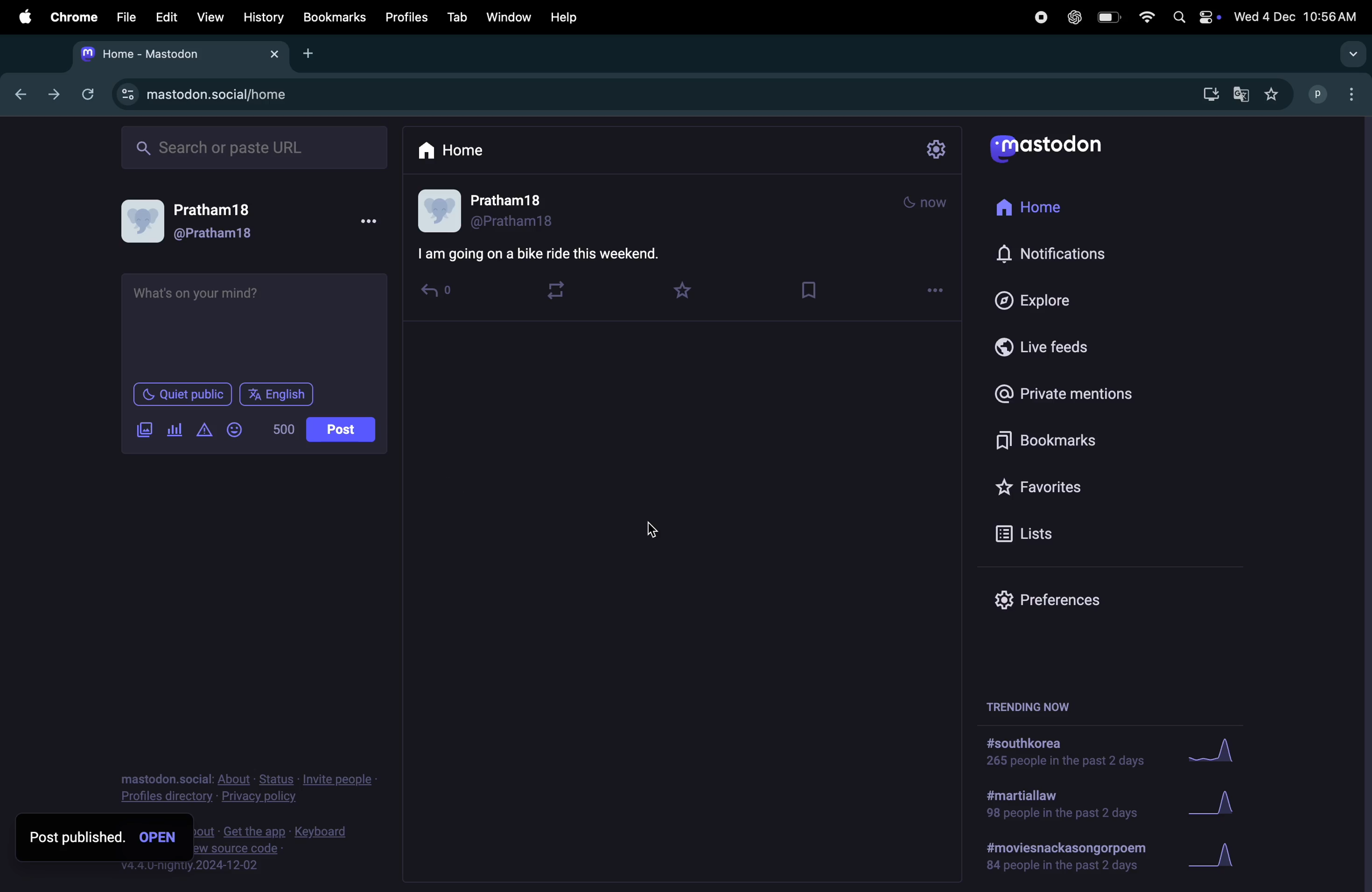  What do you see at coordinates (1047, 147) in the screenshot?
I see `mastodon` at bounding box center [1047, 147].